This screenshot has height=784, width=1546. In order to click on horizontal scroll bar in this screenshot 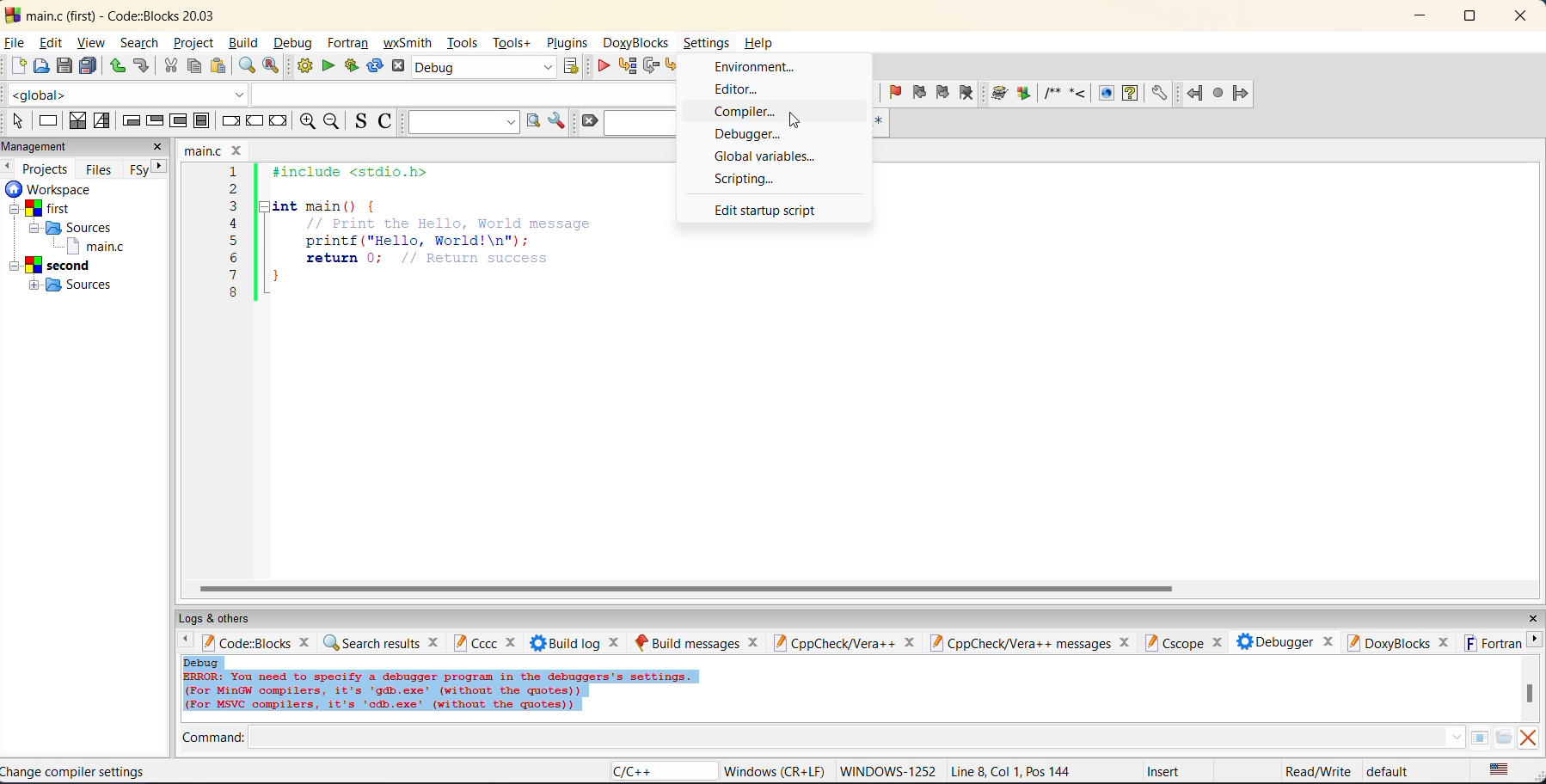, I will do `click(690, 587)`.